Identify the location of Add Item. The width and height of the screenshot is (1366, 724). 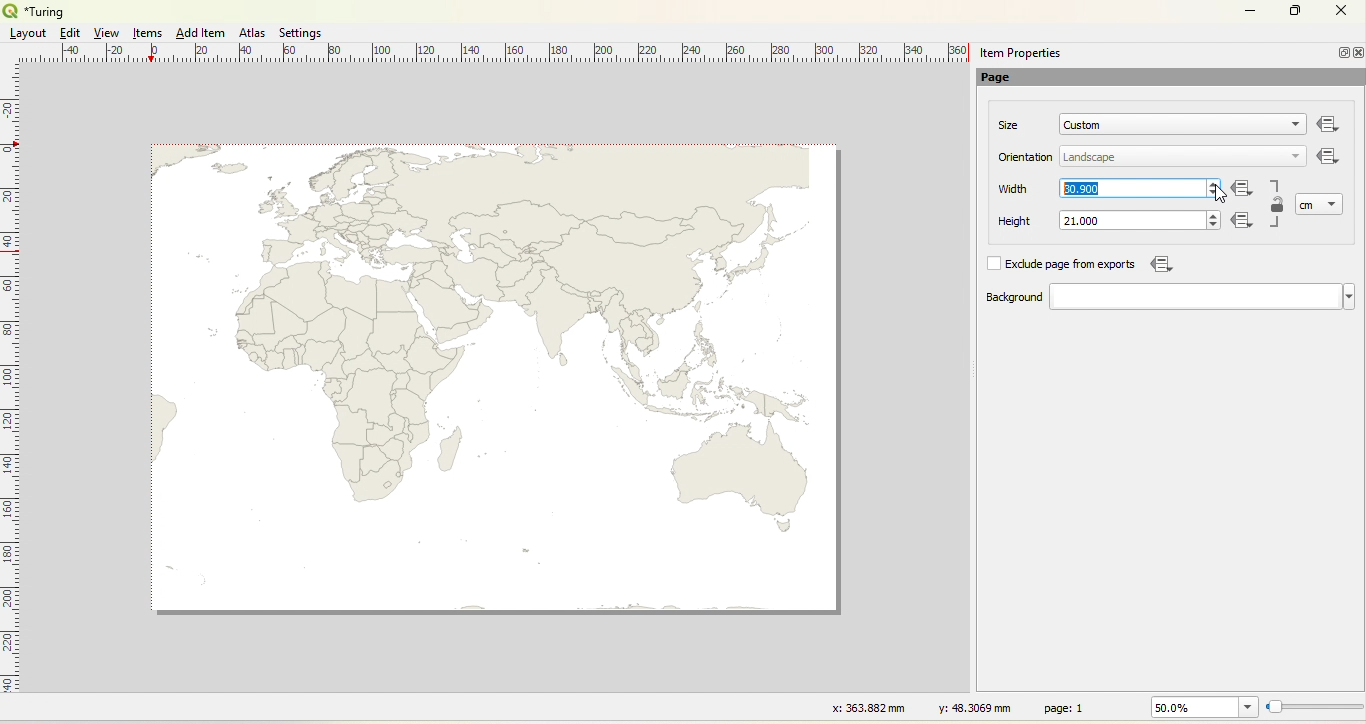
(200, 33).